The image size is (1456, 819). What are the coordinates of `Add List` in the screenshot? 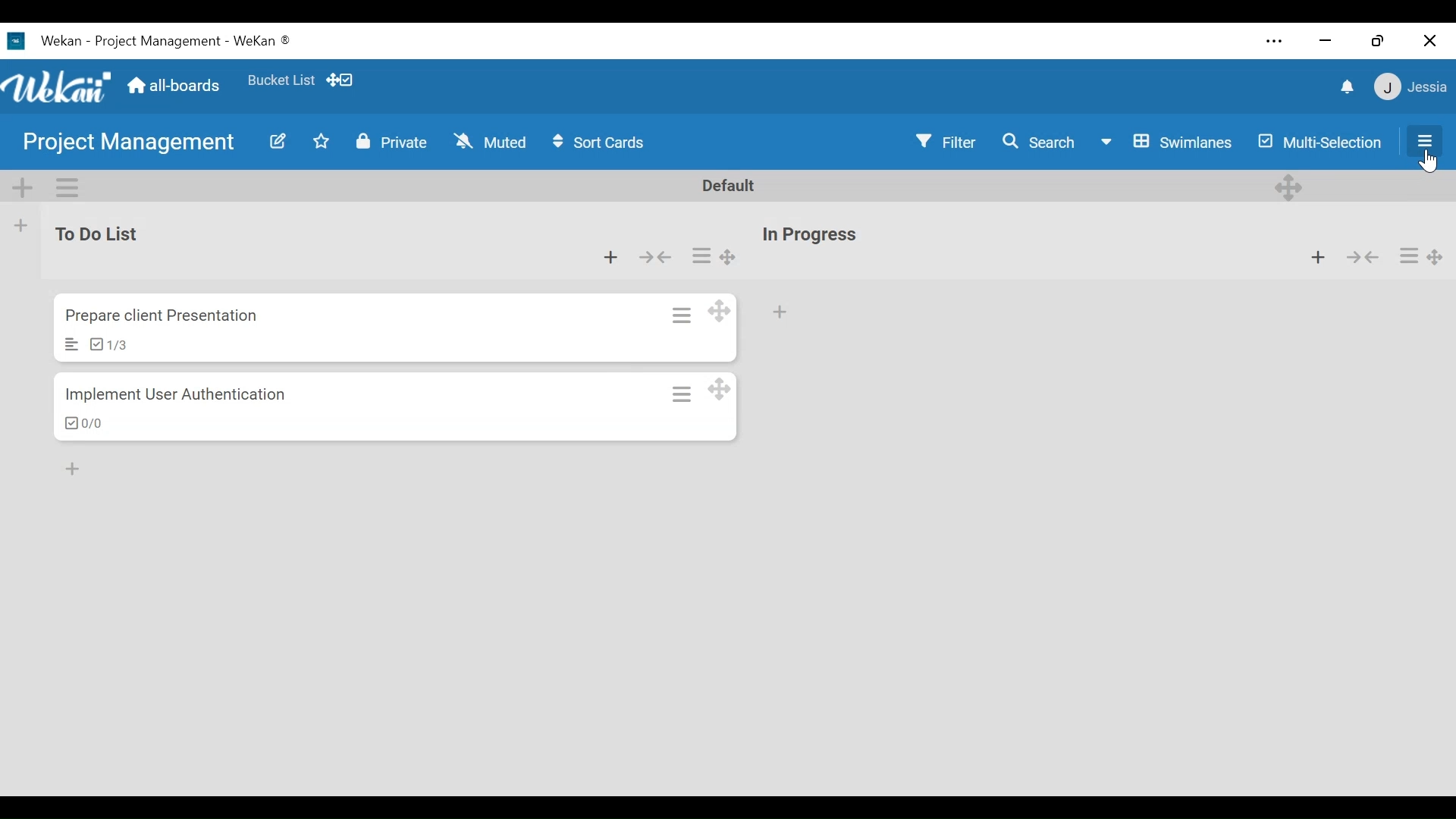 It's located at (20, 227).